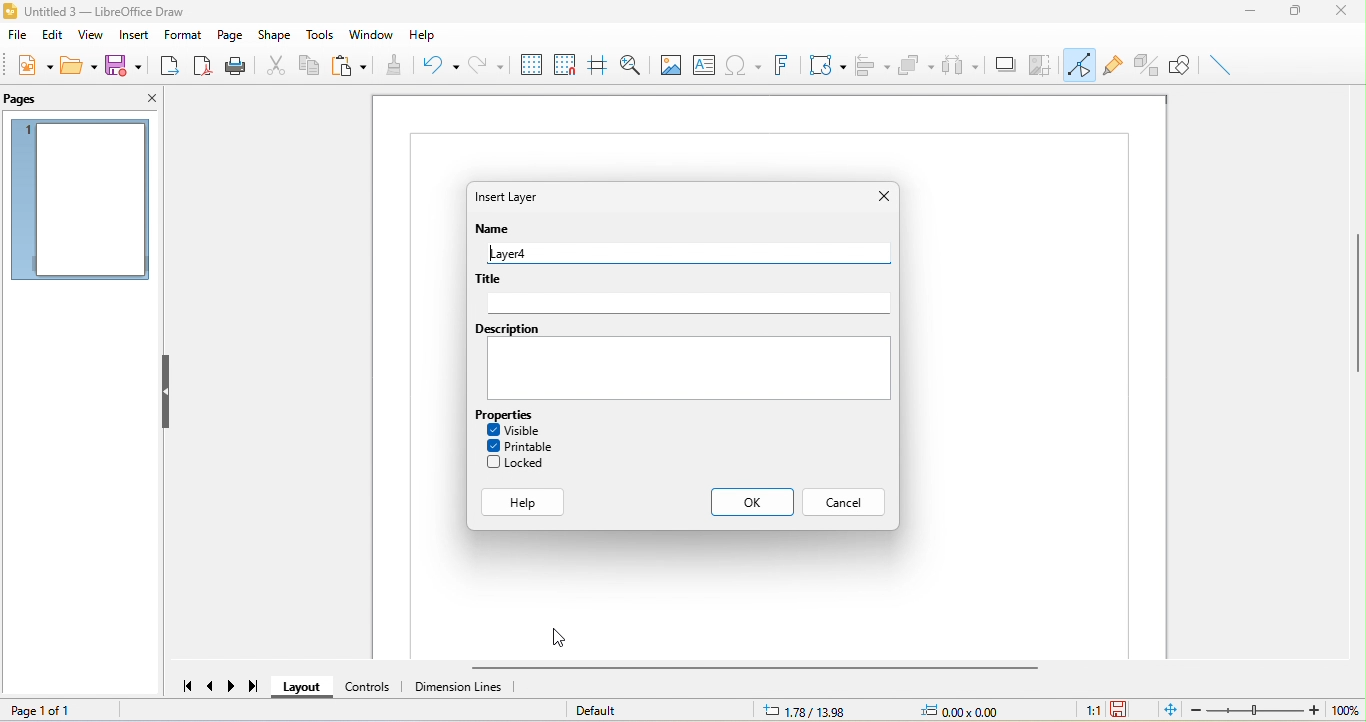 The height and width of the screenshot is (722, 1366). I want to click on Cursor, so click(558, 634).